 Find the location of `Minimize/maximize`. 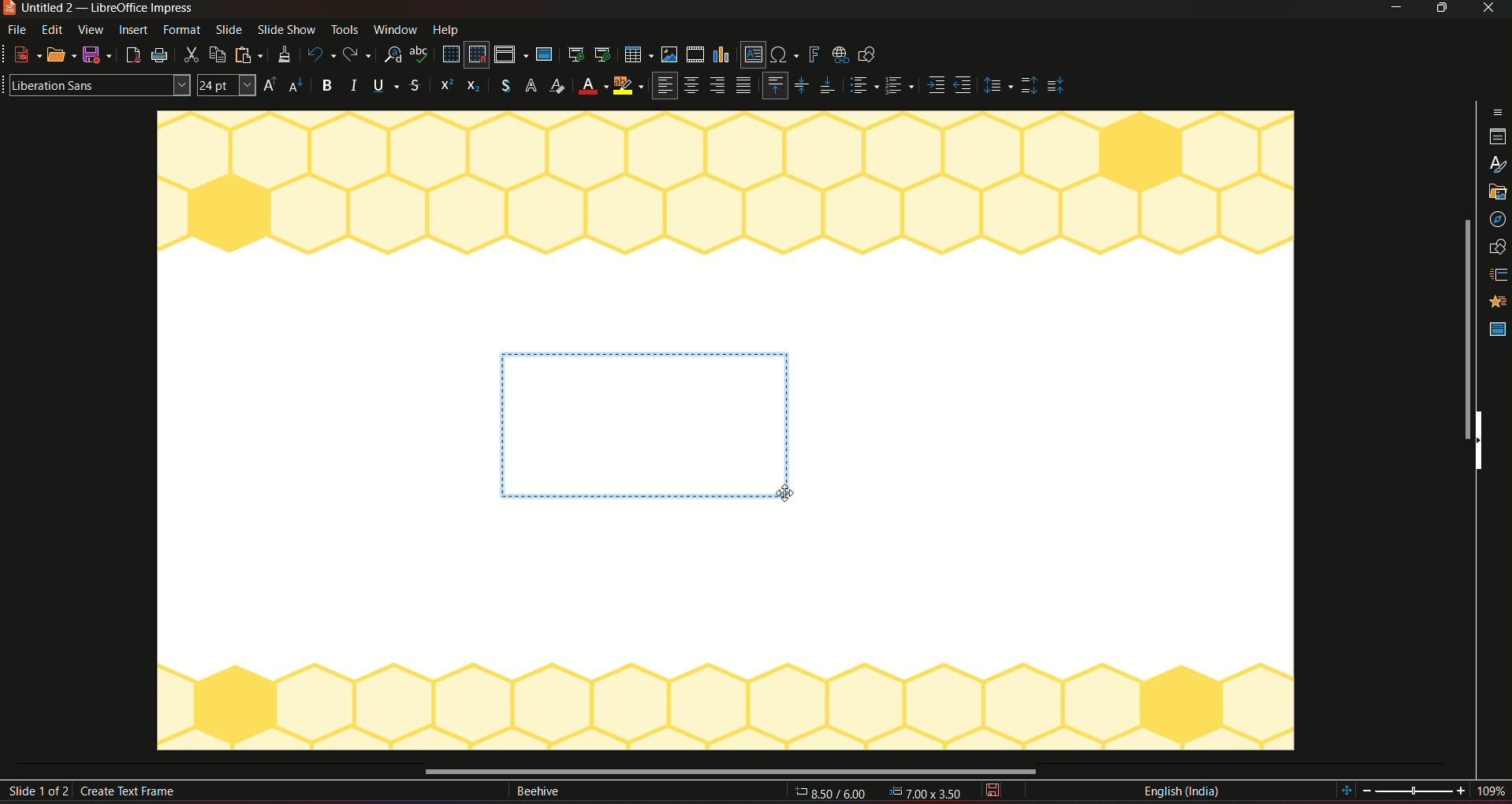

Minimize/maximize is located at coordinates (1440, 9).